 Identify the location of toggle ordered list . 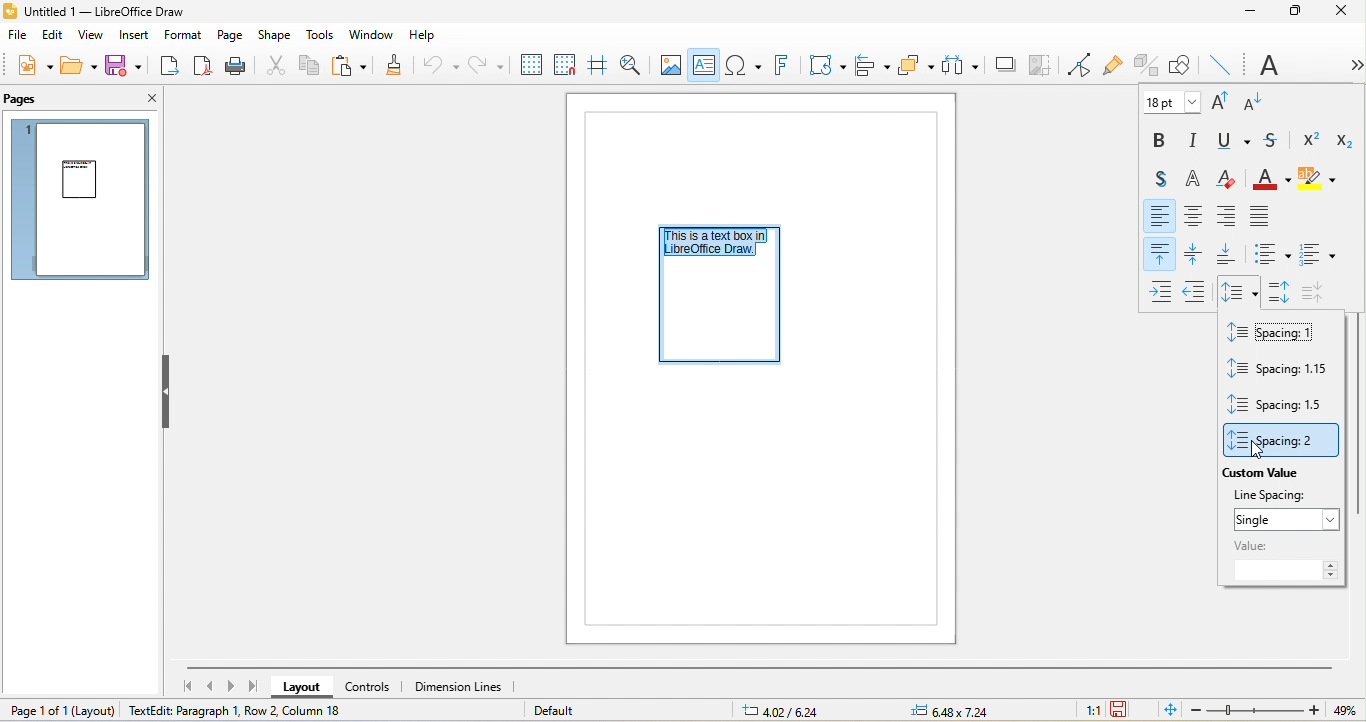
(1317, 251).